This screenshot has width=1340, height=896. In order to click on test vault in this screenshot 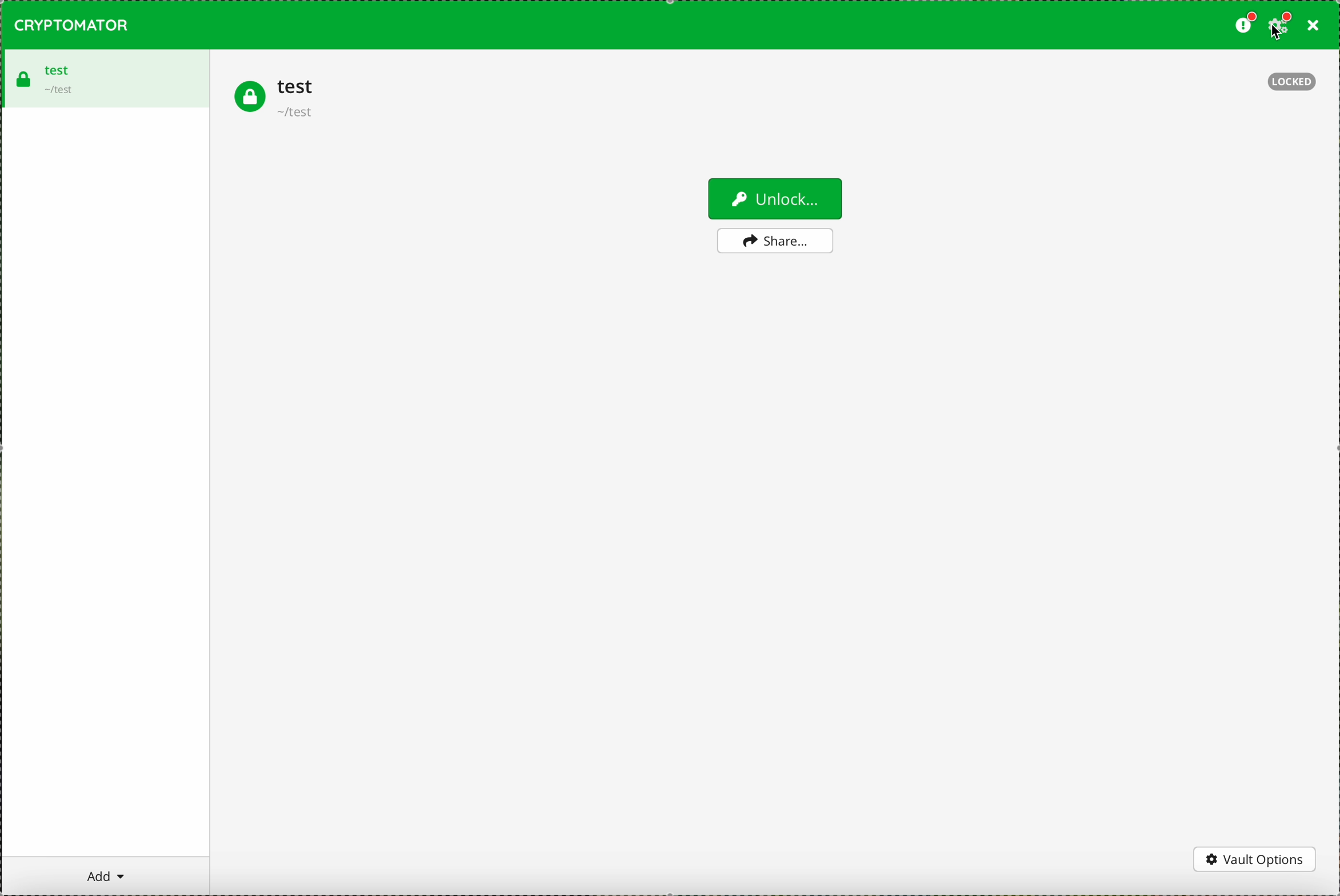, I will do `click(104, 78)`.